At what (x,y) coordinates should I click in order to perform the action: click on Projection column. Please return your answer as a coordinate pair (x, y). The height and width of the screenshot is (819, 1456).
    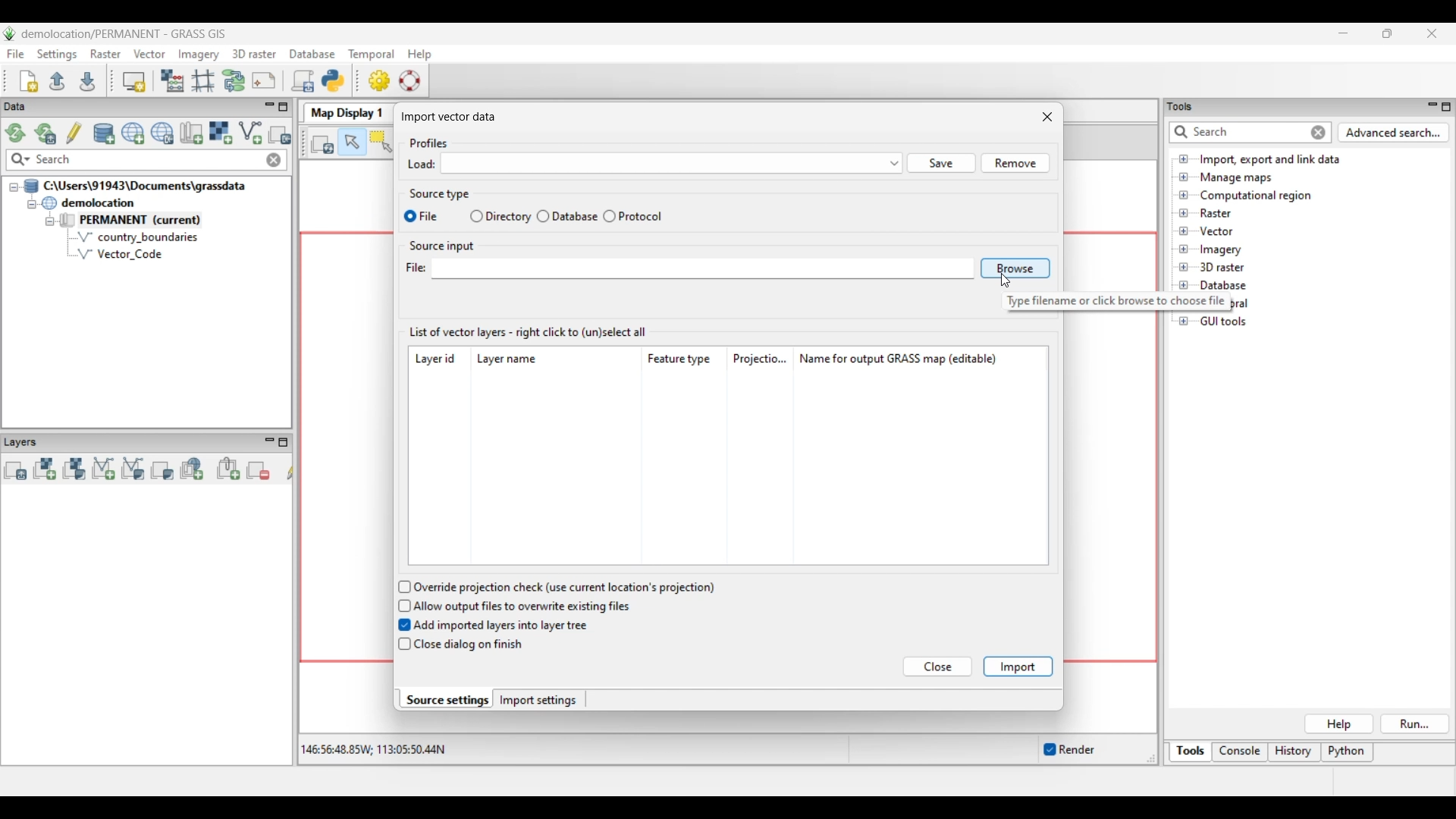
    Looking at the image, I should click on (761, 359).